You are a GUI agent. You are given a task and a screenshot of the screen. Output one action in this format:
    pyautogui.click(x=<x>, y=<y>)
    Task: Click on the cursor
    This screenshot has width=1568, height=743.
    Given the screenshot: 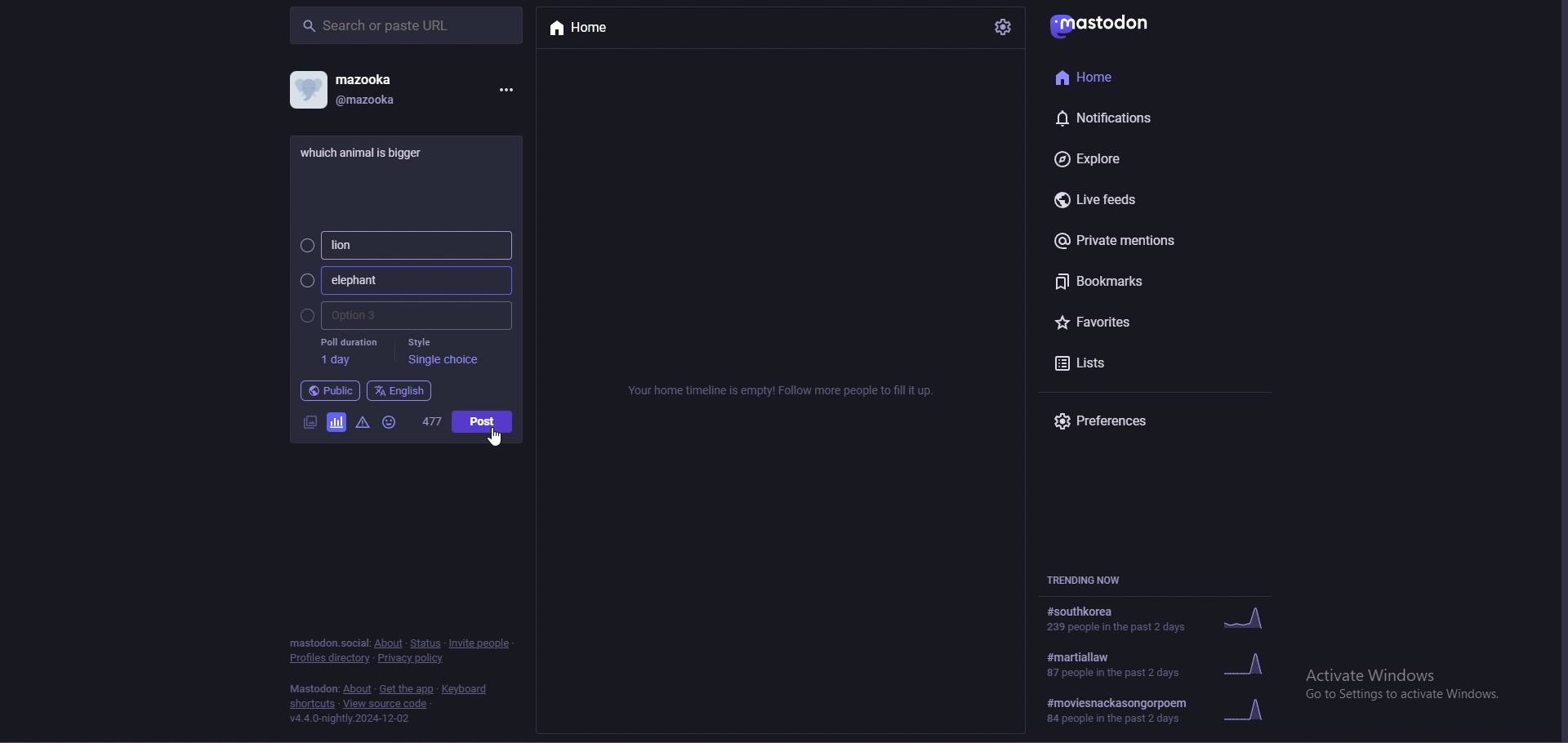 What is the action you would take?
    pyautogui.click(x=495, y=437)
    